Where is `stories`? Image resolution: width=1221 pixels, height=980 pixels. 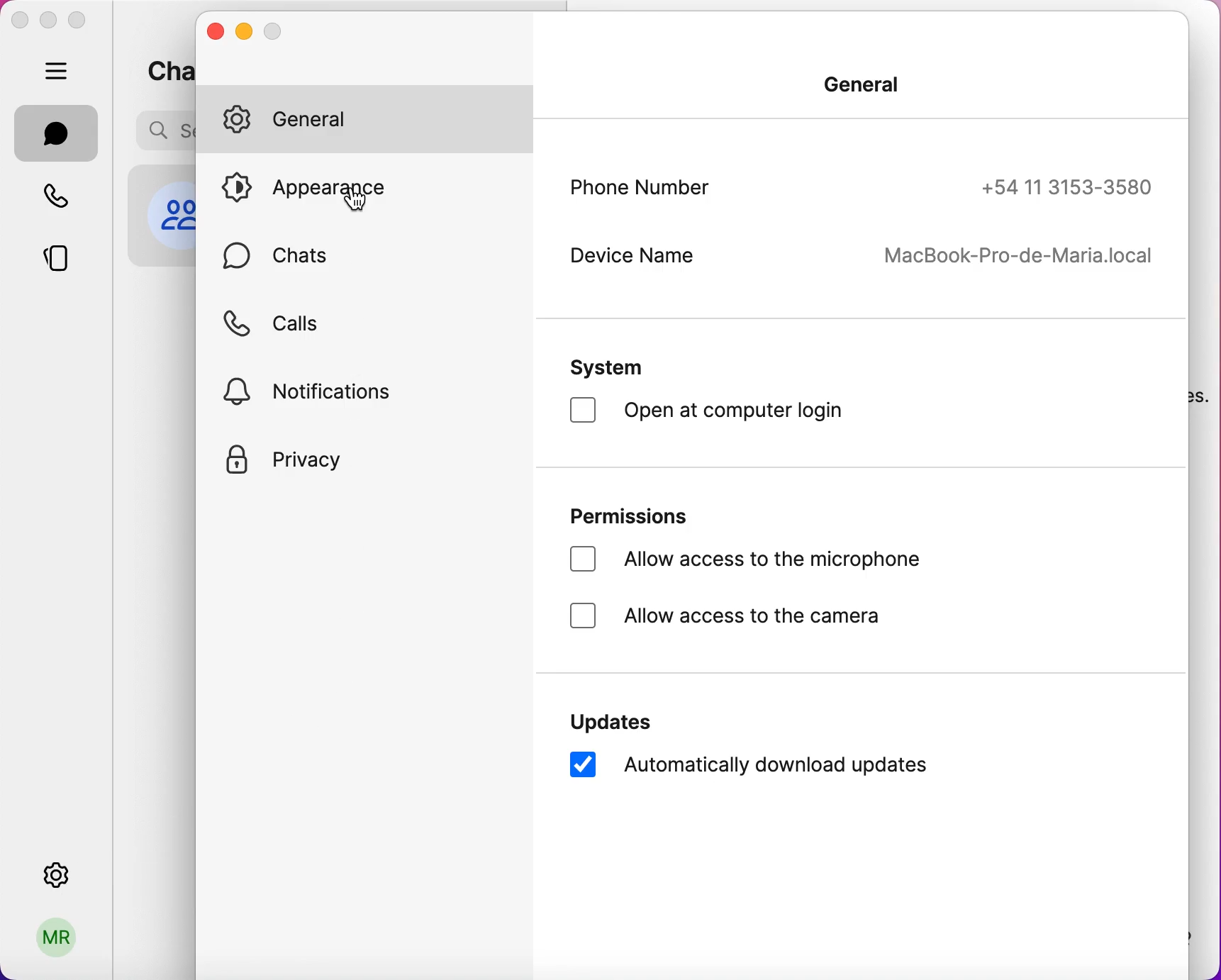 stories is located at coordinates (52, 262).